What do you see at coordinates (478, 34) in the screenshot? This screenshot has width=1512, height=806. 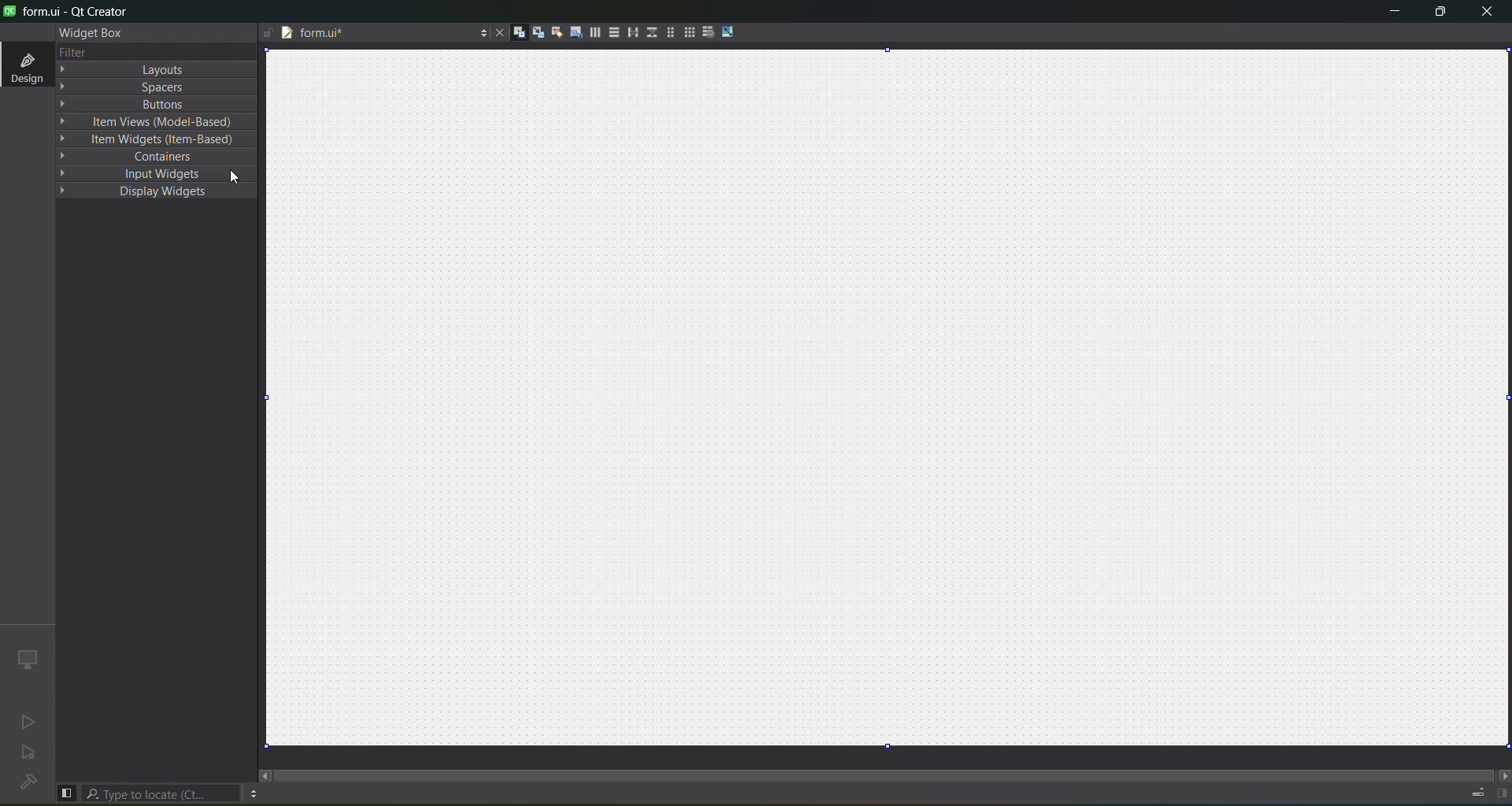 I see `options` at bounding box center [478, 34].